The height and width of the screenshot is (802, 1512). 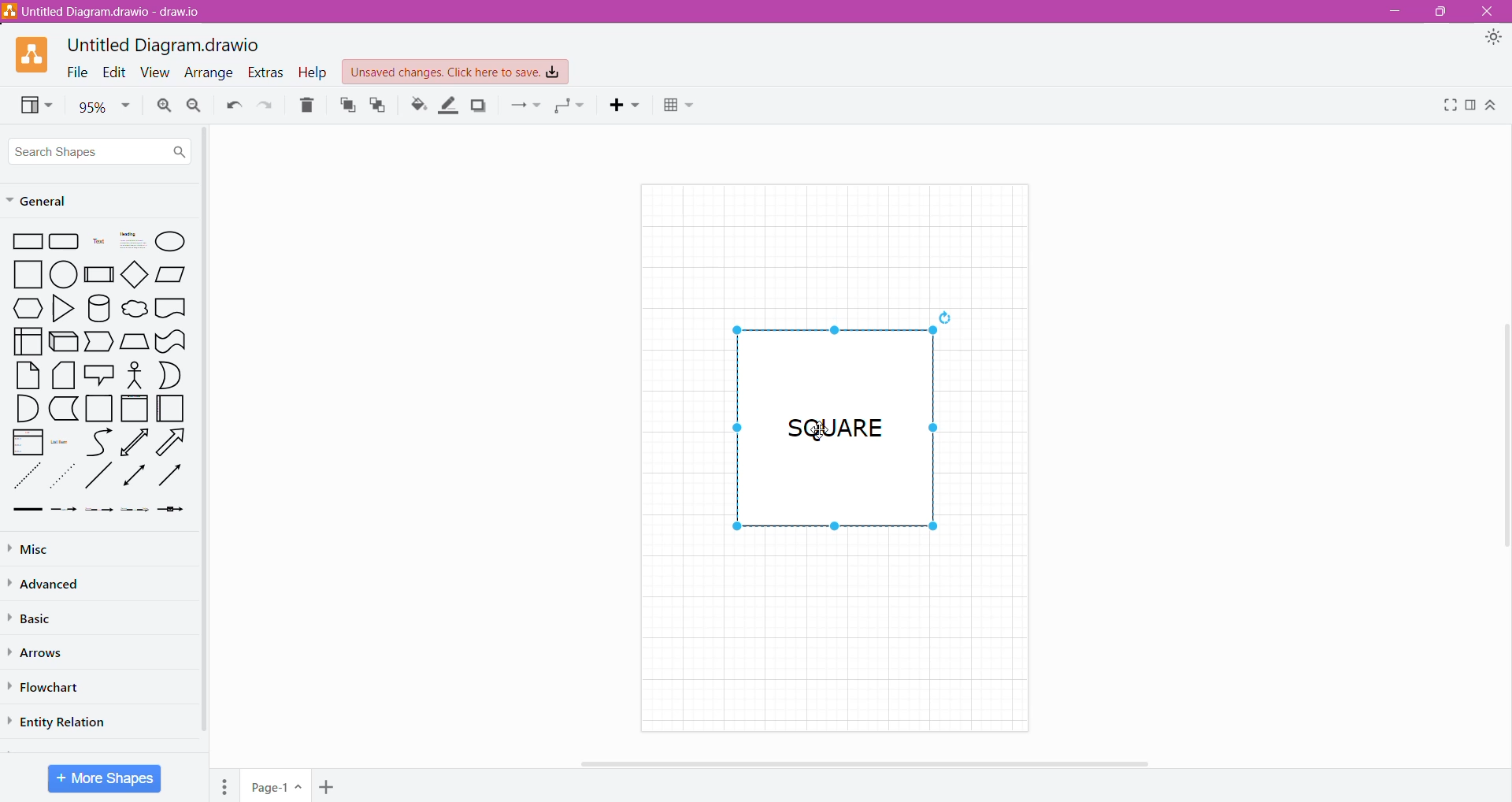 I want to click on reload, so click(x=947, y=317).